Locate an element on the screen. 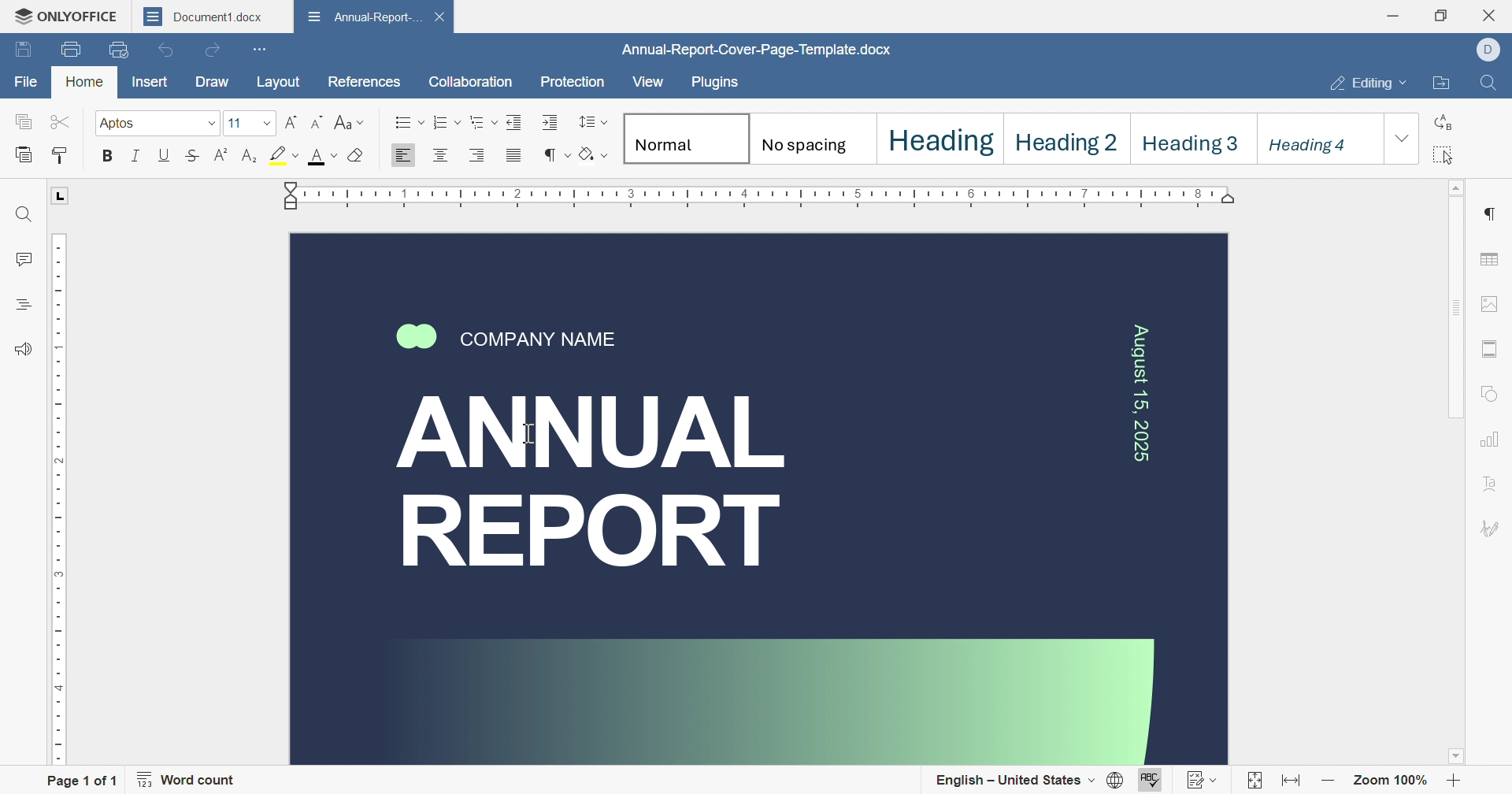  zoom out is located at coordinates (1328, 783).